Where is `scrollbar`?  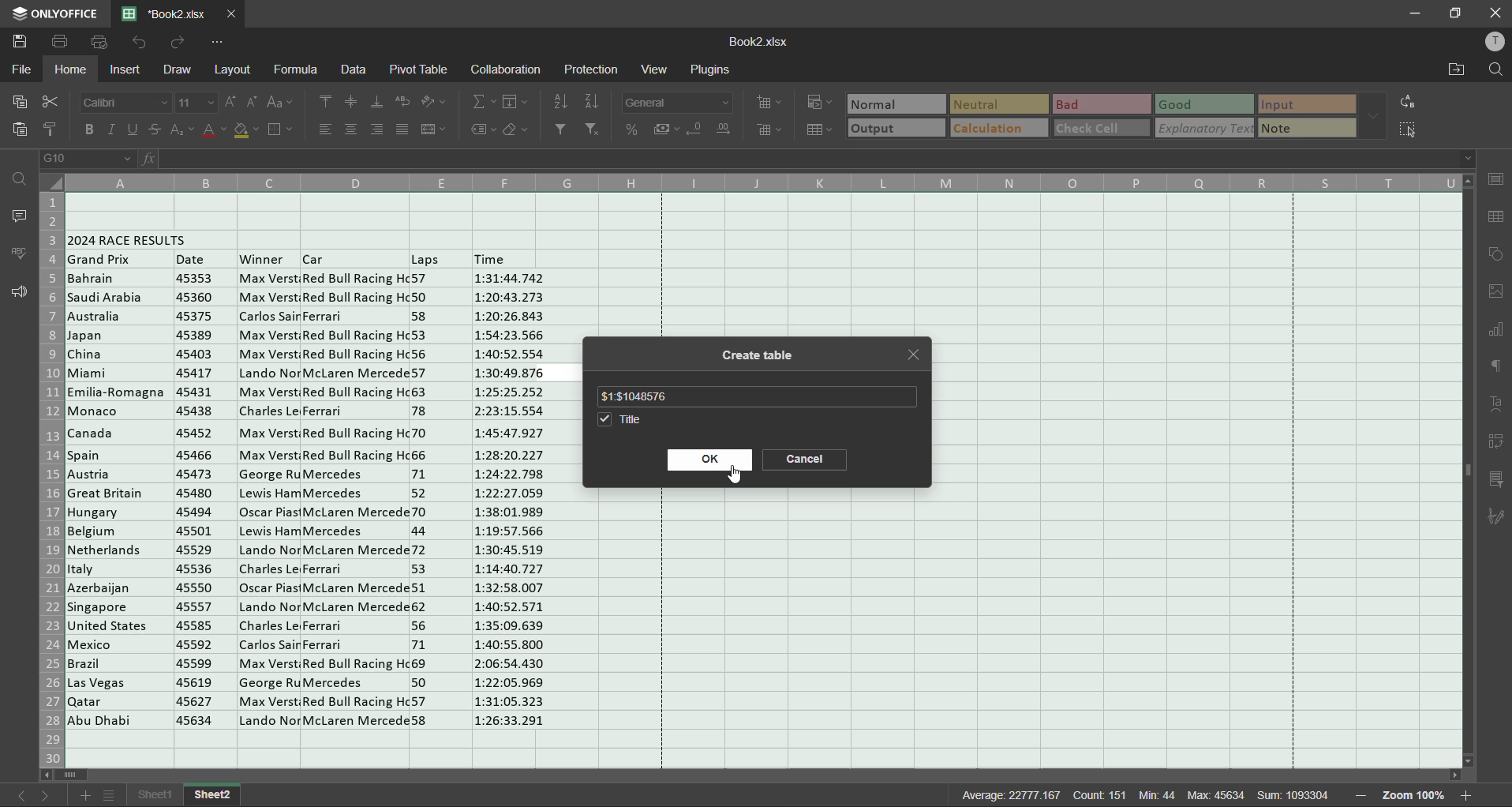 scrollbar is located at coordinates (1468, 471).